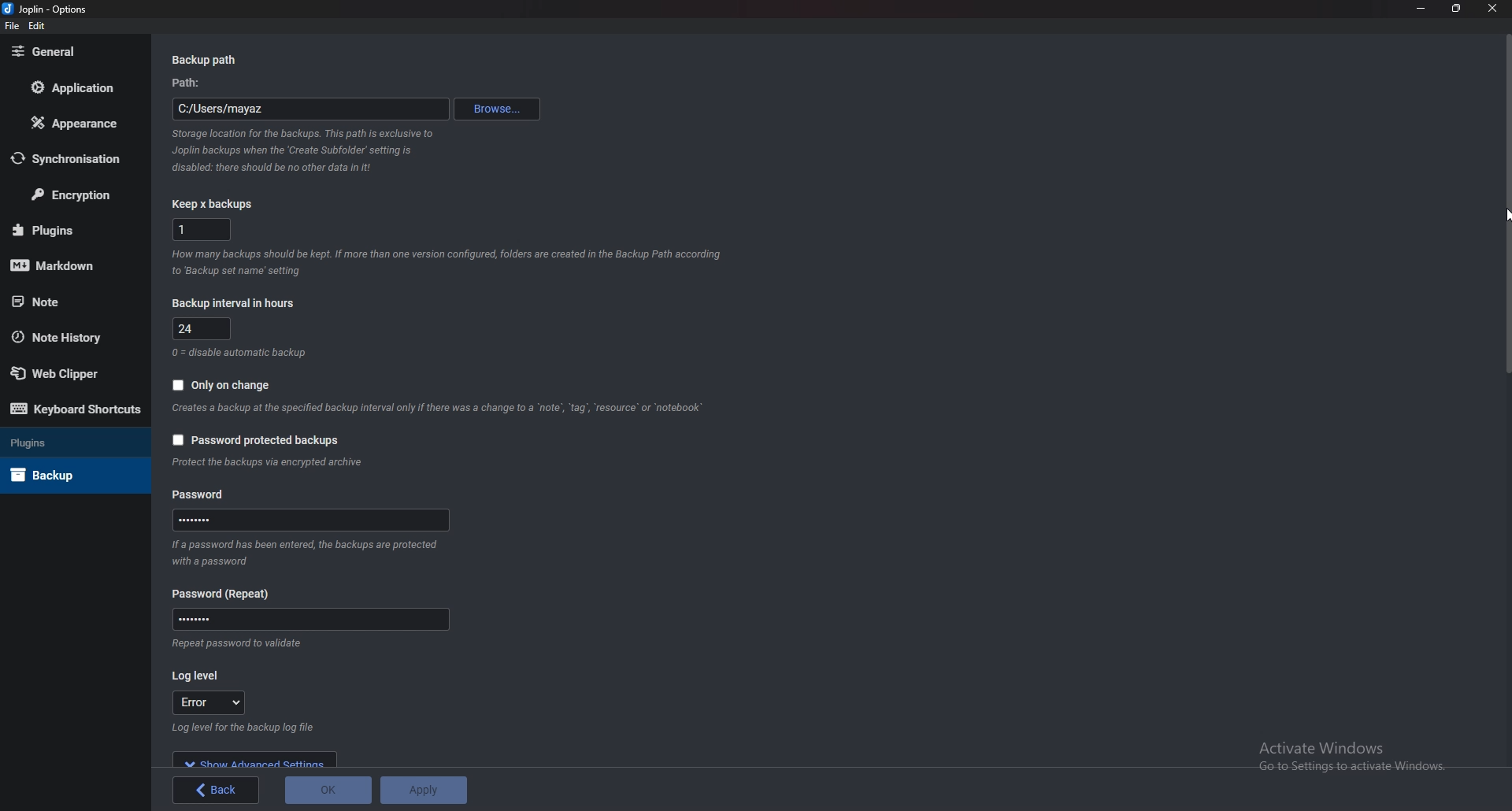  What do you see at coordinates (73, 194) in the screenshot?
I see `Encryption` at bounding box center [73, 194].